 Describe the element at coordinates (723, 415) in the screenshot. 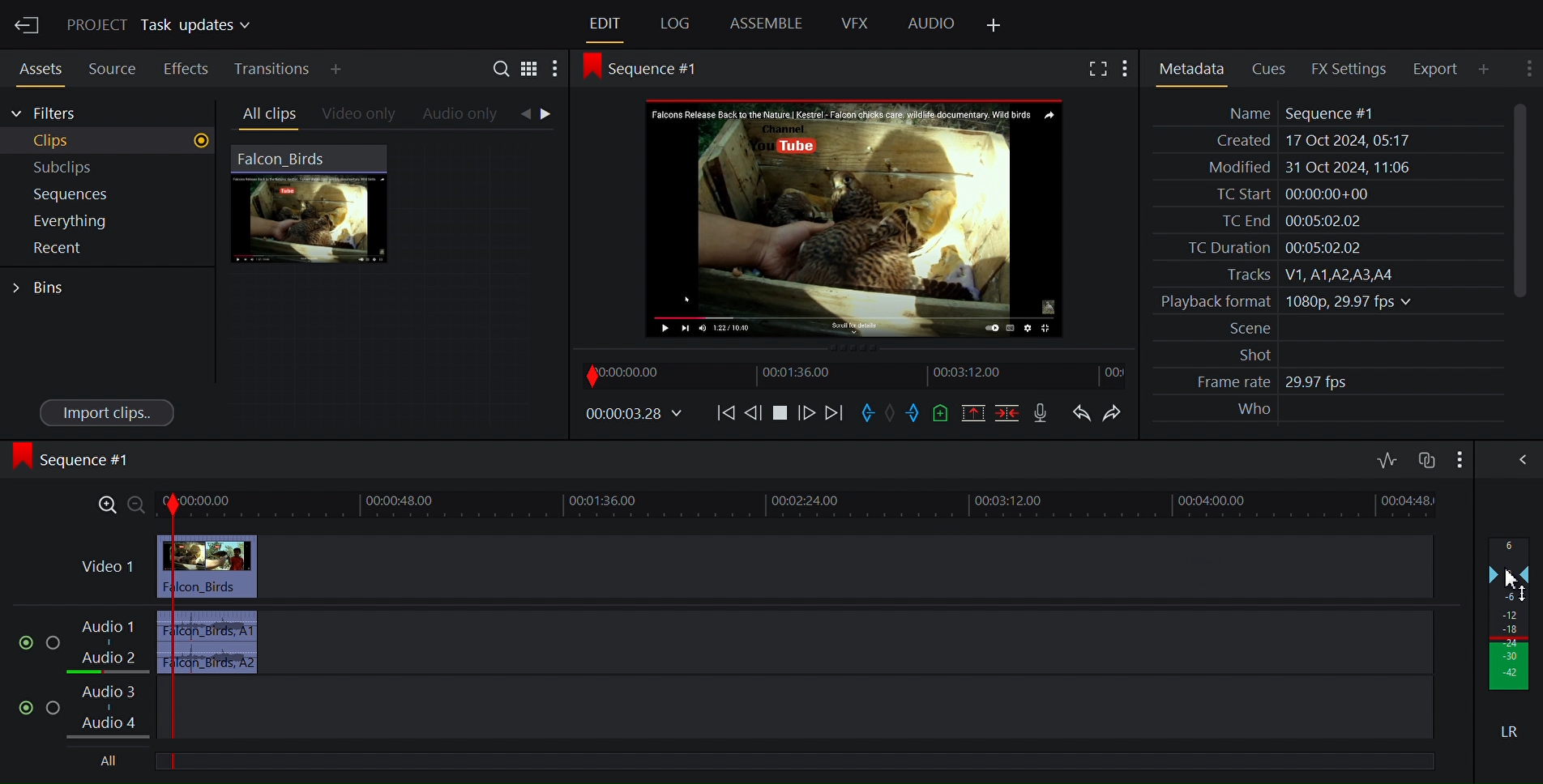

I see `Move backwards` at that location.